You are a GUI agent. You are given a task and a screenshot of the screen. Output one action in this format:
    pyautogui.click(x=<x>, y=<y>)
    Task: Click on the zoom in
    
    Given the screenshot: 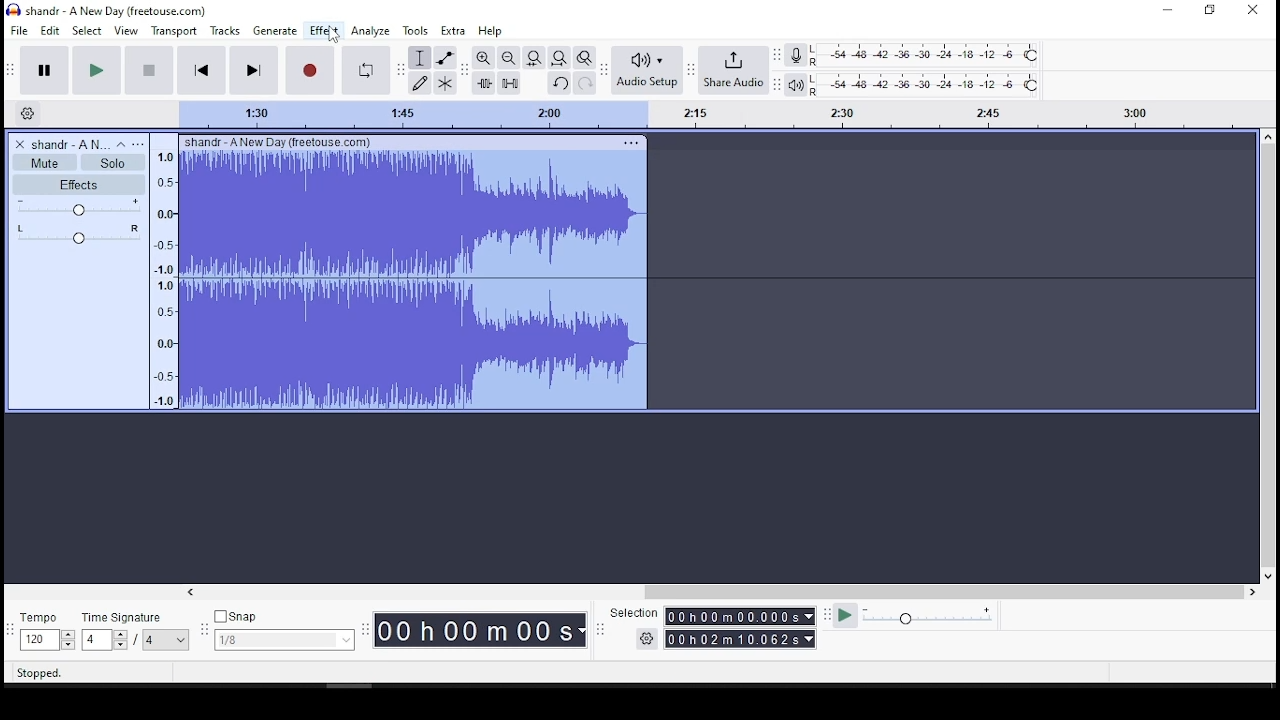 What is the action you would take?
    pyautogui.click(x=508, y=57)
    